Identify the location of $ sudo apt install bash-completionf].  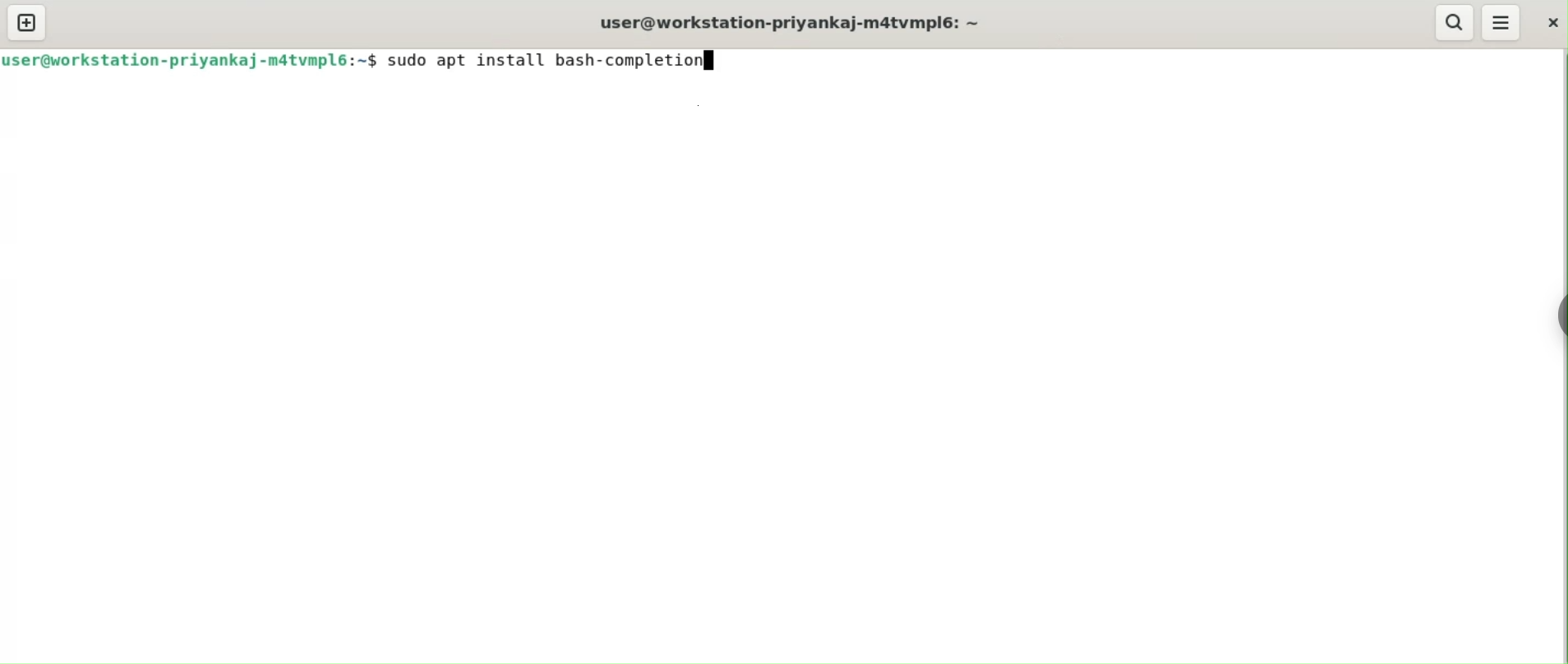
(554, 63).